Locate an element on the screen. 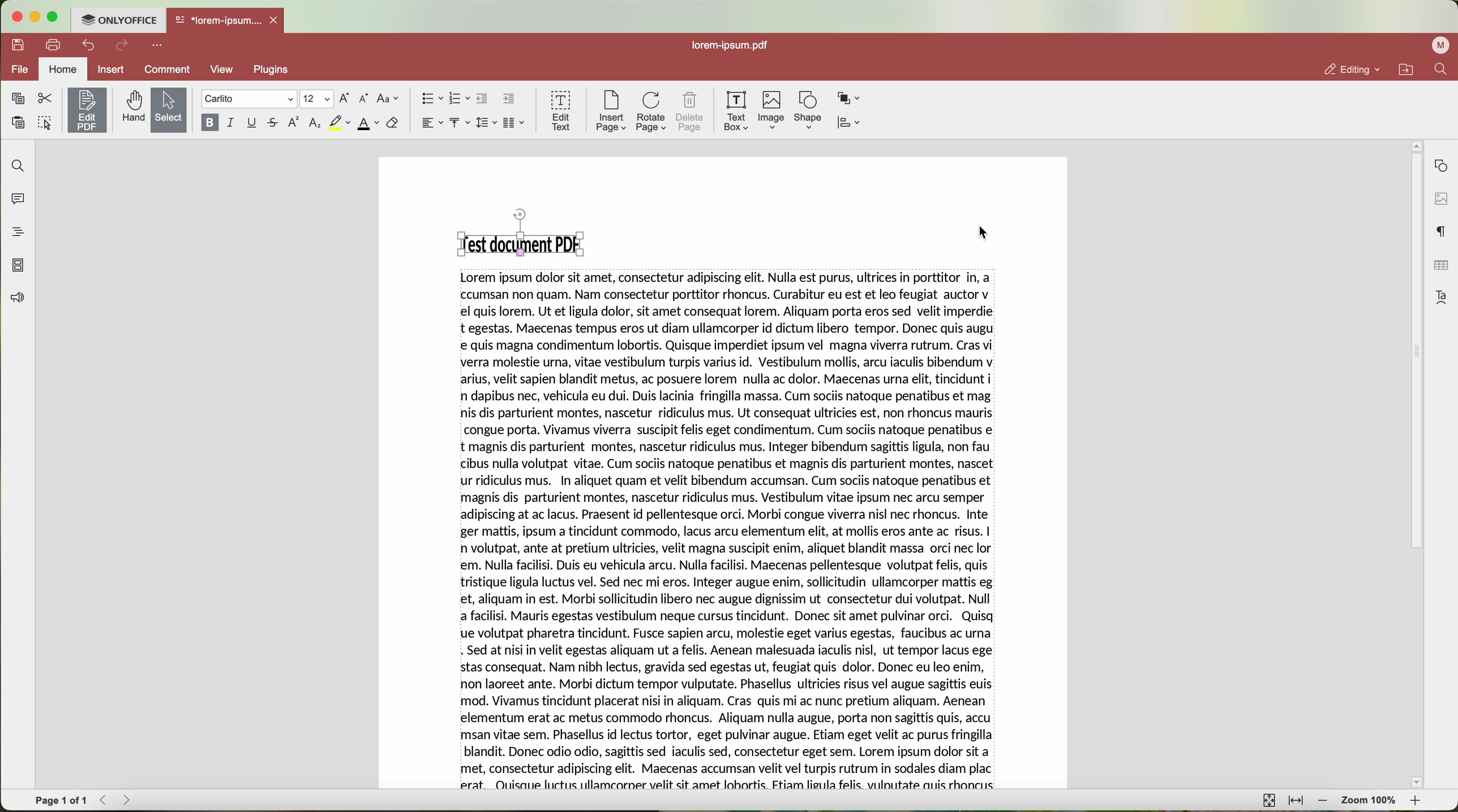 This screenshot has width=1458, height=812. Lorem Ipsum dolor sit amet, consectetur adipiscing elit. Nulla est purus, ultrices in porttitor In, a
ccumsan non quam. Nam consectetur porttitor rhoncus. Curabitur eu est et leo feugiat auctor v
el quis lorem. Ut et ligula dolor, sit amet consequat lorem. Aliquam porta eros sed velit imperdie
t egestas. Maecenas tempus eros ut diam ullamcorper id dictum libero tempor. Donec quis augu
e quis magna condimentum lobortis. Quisque imperdiet ipsum vel magna viverra rutrum. Cras vi
verra molestie urna, vitae vestibulum turpis varius id. Vestibulum mollis, arcu iaculis bibendum v
arius, velit sapien blandit metus, ac posuere lorem nulla ac dolor. Maecenas urna elit, tincidunt i
n dapibus nec, vehicula eu dui. Duis lacinia fringilla massa. Cum sociis natoque penatibus et mag
nis dis parturient montes, nascetur ridiculus mus. Ut consequat ultricies est, non rhoncus mauris
congue porta. Vivamus viverra suscipit felis eget condimentum. Cum sociis natoque penatibus e
t magnis dis parturient montes, nascetur ridiculus mus. Integer bibendum sagittis ligula, non fau
cibus nulla volutpat vitae. Cum sociis natoque penatibus et magnis dis parturient montes, nascet
ur ridiculus mus. In aliquet quam et velit bibendum accumsan. Cum sociis natoque penatibus et
magnis dis parturient montes, nascetur ridiculus mus. Vestibulum vitae ipsum nec arcu semper
adipiscing at ac lacus. Praesent id pellentesque orci. Morbi congue viverra nisl nec rhoncus. Inte
ger mattis, ipsum a tincidunt commodo, lacus arcu elementum elit, at mollis eros ante ac risus. |
n volutpat, ante at pretium ultricies, velit magna suscipit enim, aliquet blandit massa orci nec lor
em. Nulla facilisi. Duis eu vehicula arcu. Nulla facilisi. Maecenas pellentesque volutpat felis, quis
tristique ligula luctus vel. Sed nec mi eros. Integer augue enim, sollicitudin ullamcorper mattis eg
et, aliquam in est. Morbi sollicitudin libero nec augue dignissim ut consectetur dui volutpat. Null
a facilisi. Mauris egestas vestibulum neque cursus tincidunt. Donec sit amet pulvinar orci. Quisq
ue volutpat pharetra tincidunt. Fusce sapien arcu, molestie eget varius egestas, faucibus ac urna
. Sed at nisi in velit egestas aliquam ut a felis. Aenean malesuada iaculis nisl, ut tempor lacus ege
stas consequat. Nam nibh lectus, gravida sed egestas ut, feugiat quis dolor. Donec eu leo enim,
non laoreet ante. Morbi dictum tempor vulputate. Phasellus ultricies risus vel augue sagittis euis
mod. Vivamus tincidunt placerat nisi in aliquam. Cras quis mi ac nunc pretium aliquam. Aenean
elementum erat ac metus commodo rhoncus. Aliquam nulla augue, porta non sagittis quis, accu
msan vitae sem. Phasellus id lectus tortor, eget pulvinar augue. Etiam eget velit ac purus fringilla
blandit. Donec odio odio, sagittis sed iaculis sed, consectetur eget sem. Lorem ipsum dolor sit a
met, consectetur adipiscing elit. Maecenas accumsan velit vel turpis rutrum in sodales diam plac
erat. Quisaue luctus ullamecorner velit sit amet lohortis. Ftiam ligula felis. vulnutate auis rhoncus is located at coordinates (730, 532).